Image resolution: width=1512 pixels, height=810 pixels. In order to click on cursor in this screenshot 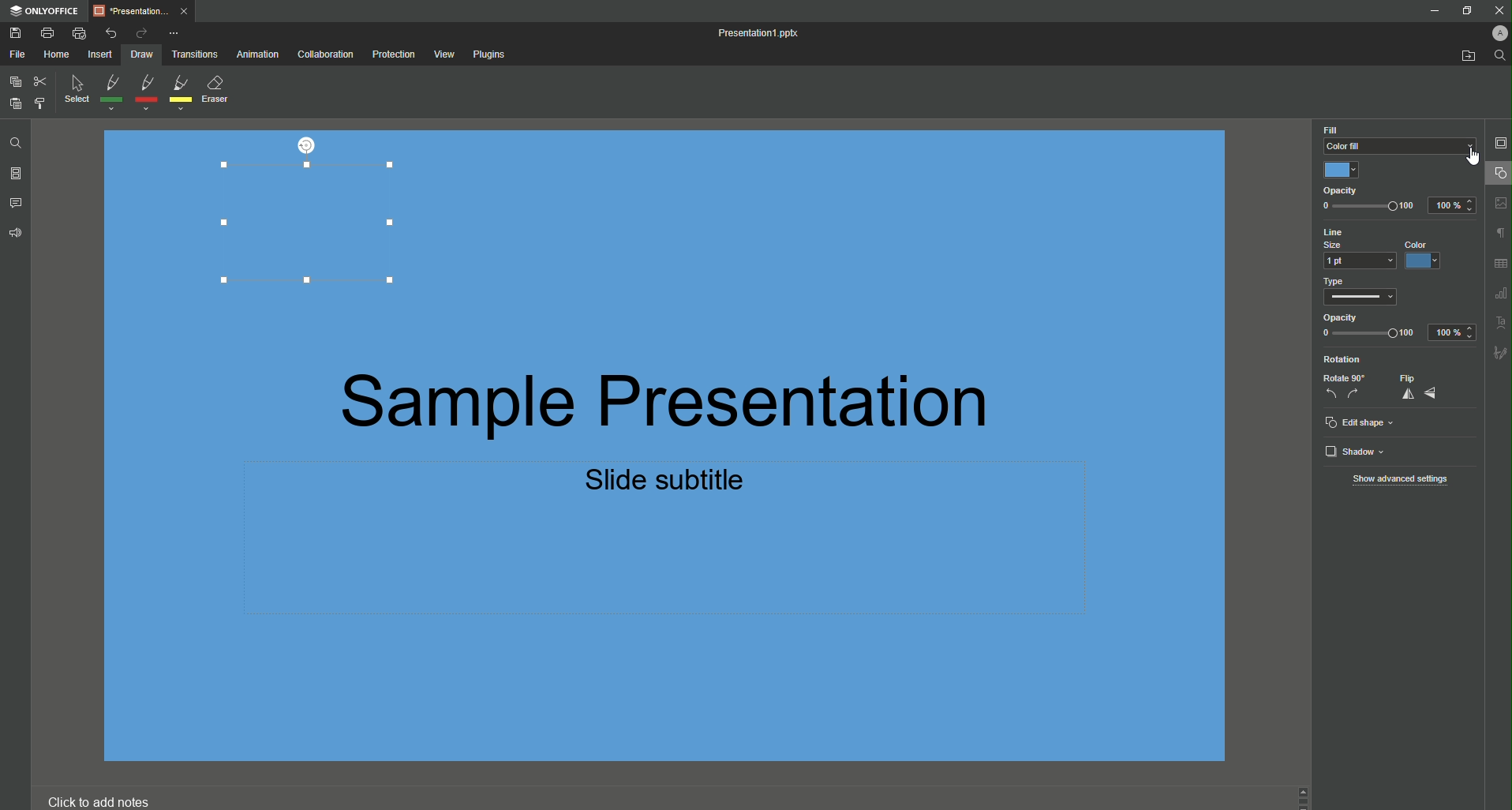, I will do `click(1478, 160)`.